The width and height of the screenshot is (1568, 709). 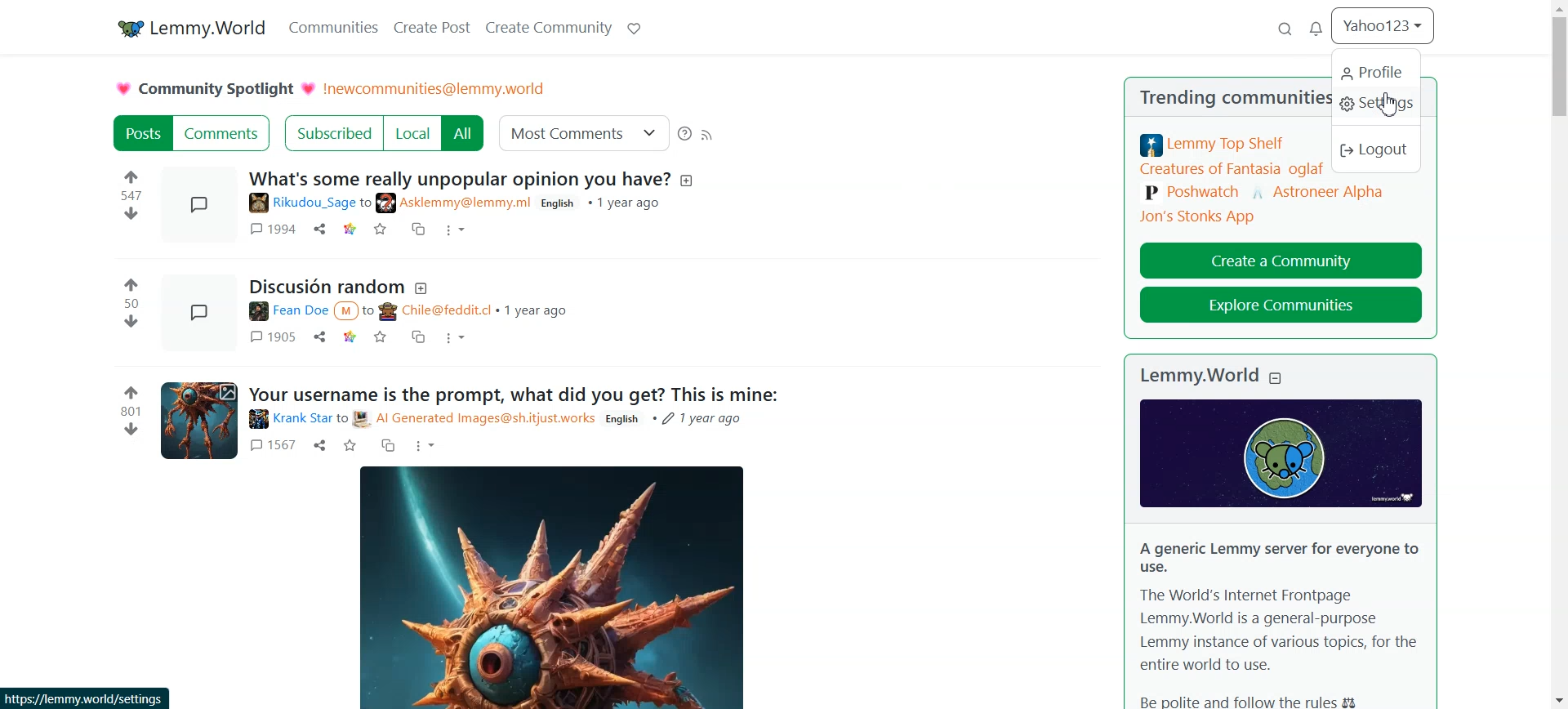 I want to click on more actions, so click(x=456, y=341).